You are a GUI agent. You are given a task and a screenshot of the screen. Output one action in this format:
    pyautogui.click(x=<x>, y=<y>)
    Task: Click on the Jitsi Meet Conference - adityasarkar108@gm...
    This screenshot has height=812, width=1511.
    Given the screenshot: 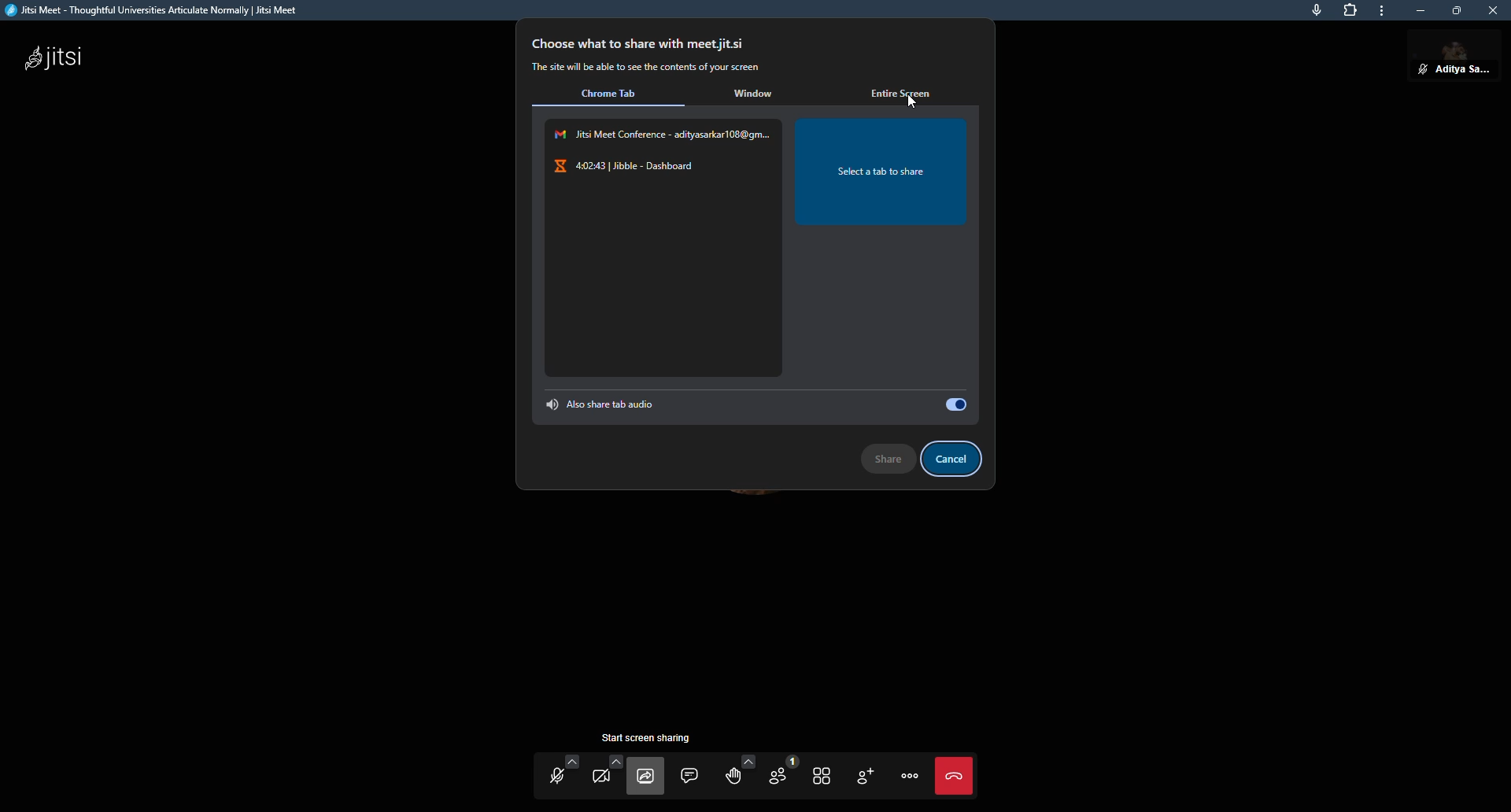 What is the action you would take?
    pyautogui.click(x=661, y=133)
    